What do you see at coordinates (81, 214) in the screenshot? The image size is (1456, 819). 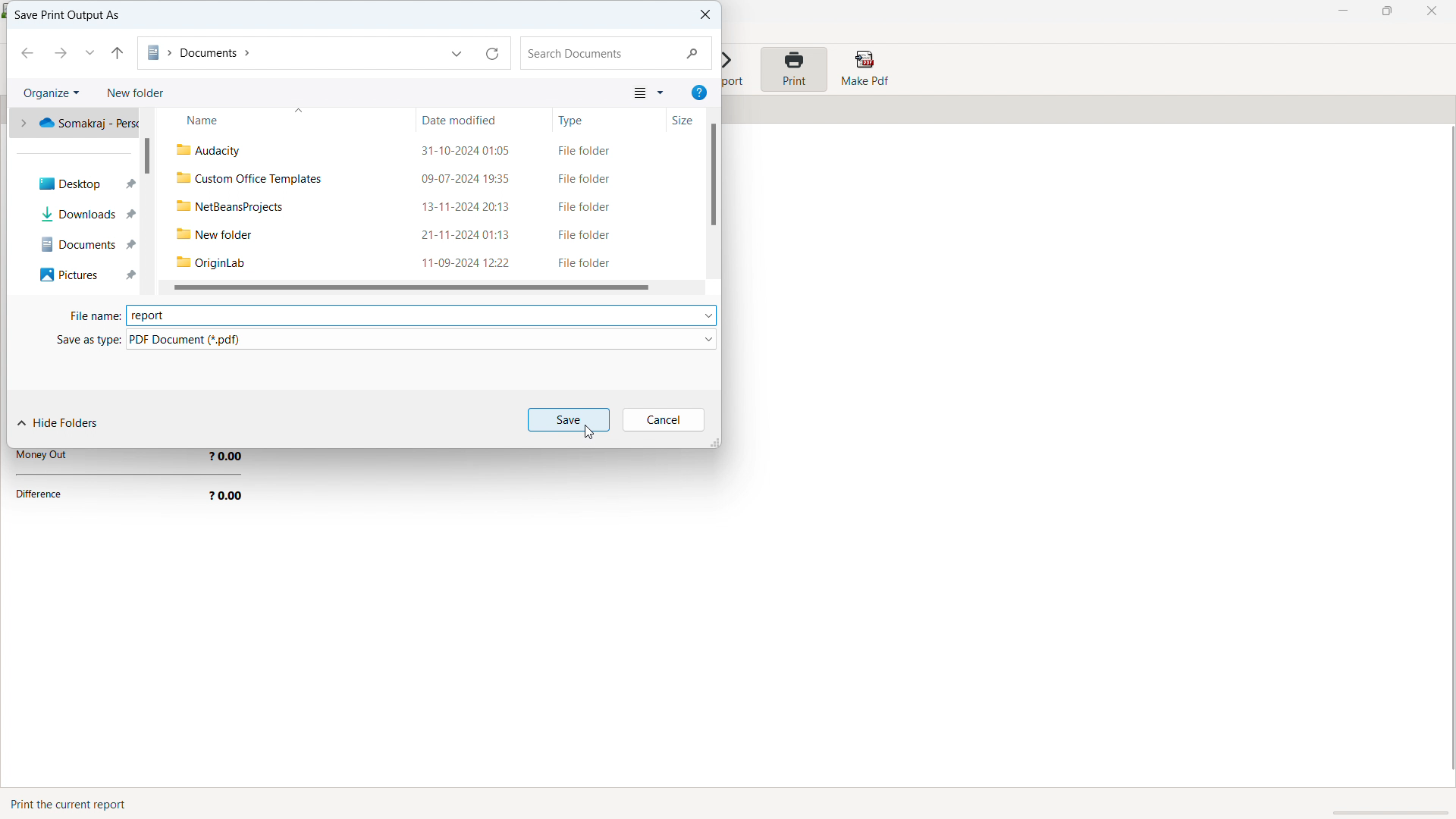 I see `4 Downloads ` at bounding box center [81, 214].